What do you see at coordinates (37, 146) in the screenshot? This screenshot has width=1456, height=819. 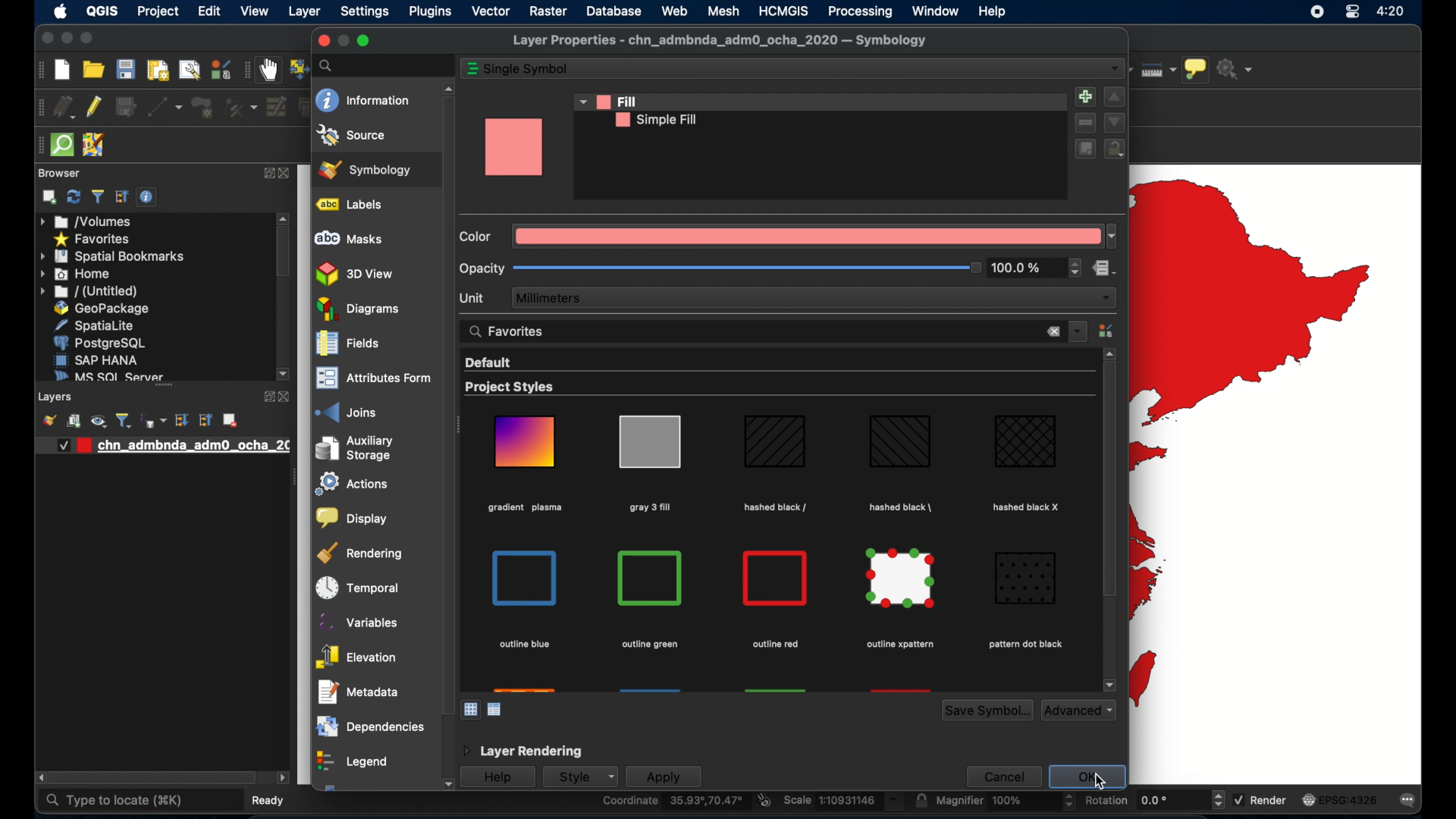 I see `drag handle` at bounding box center [37, 146].